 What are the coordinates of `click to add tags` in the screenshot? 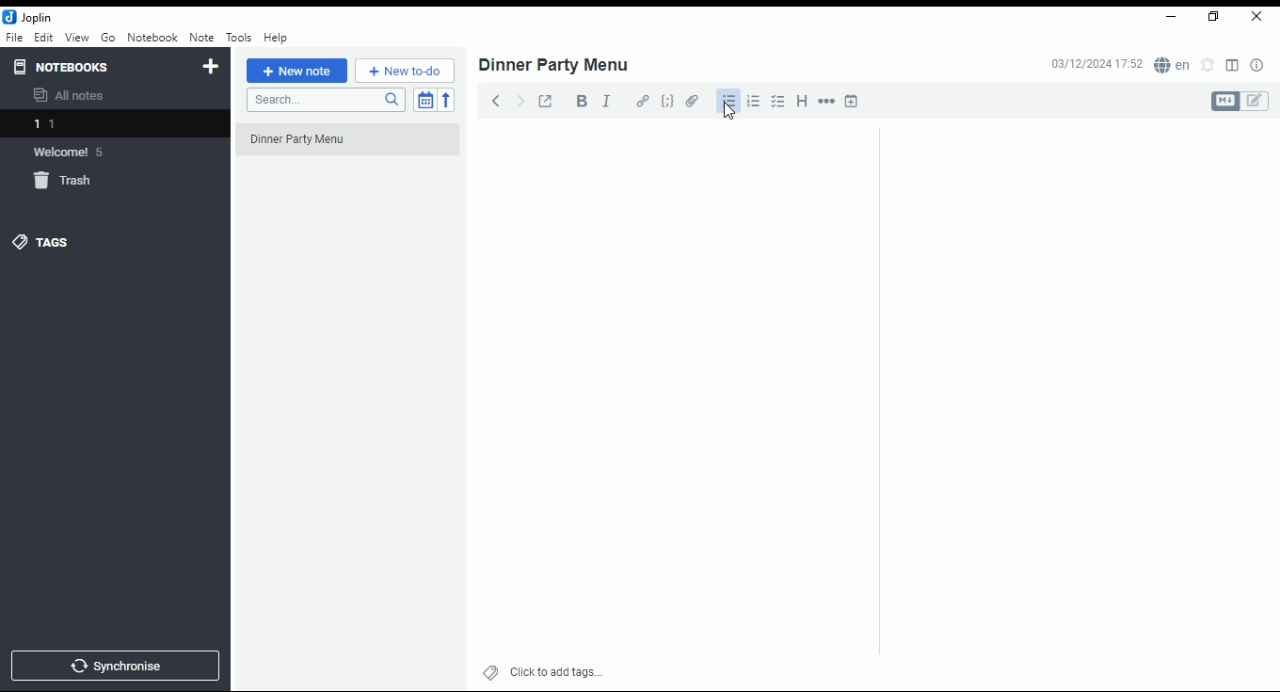 It's located at (554, 671).